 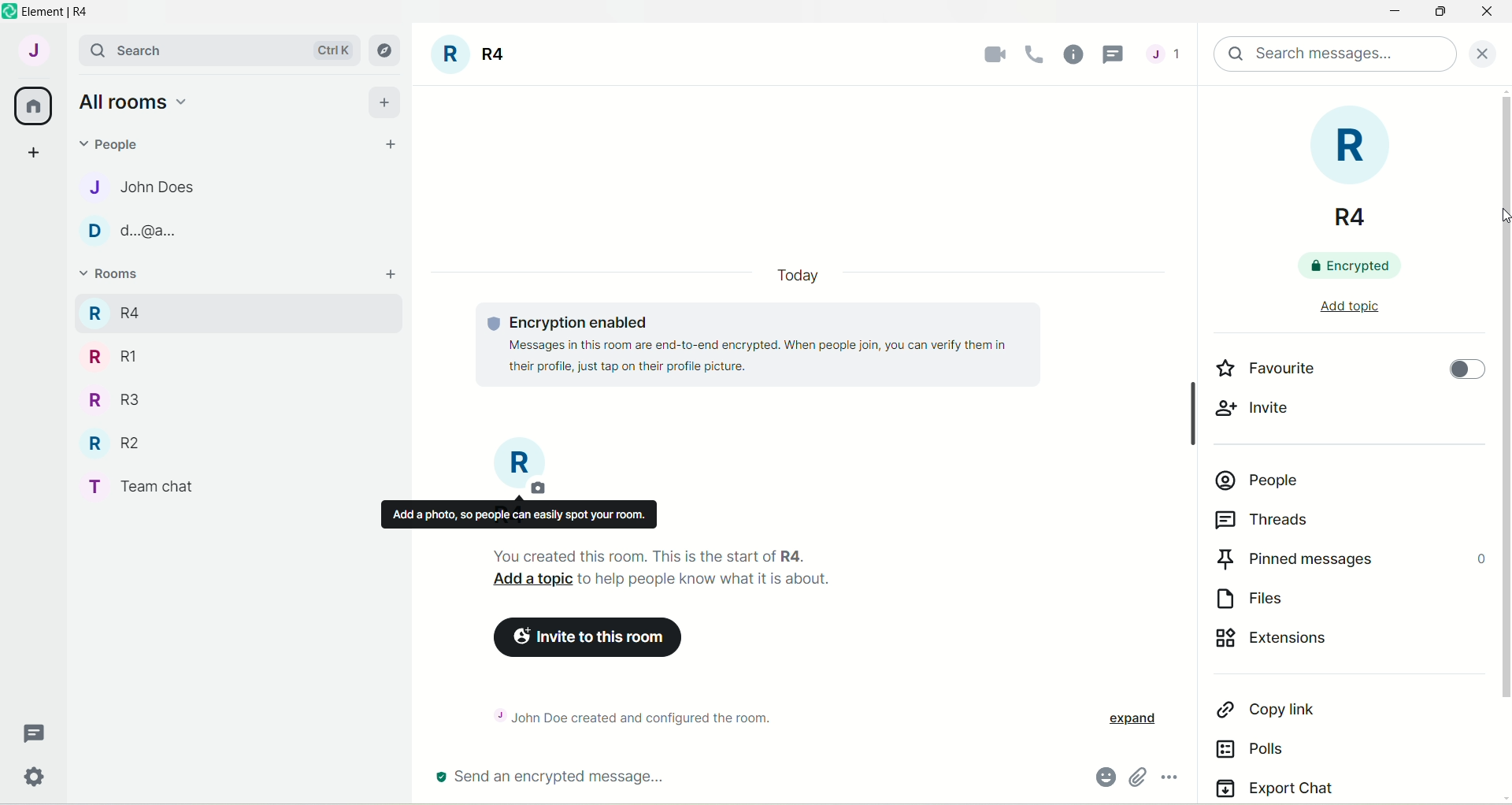 I want to click on R R4, so click(x=1337, y=165).